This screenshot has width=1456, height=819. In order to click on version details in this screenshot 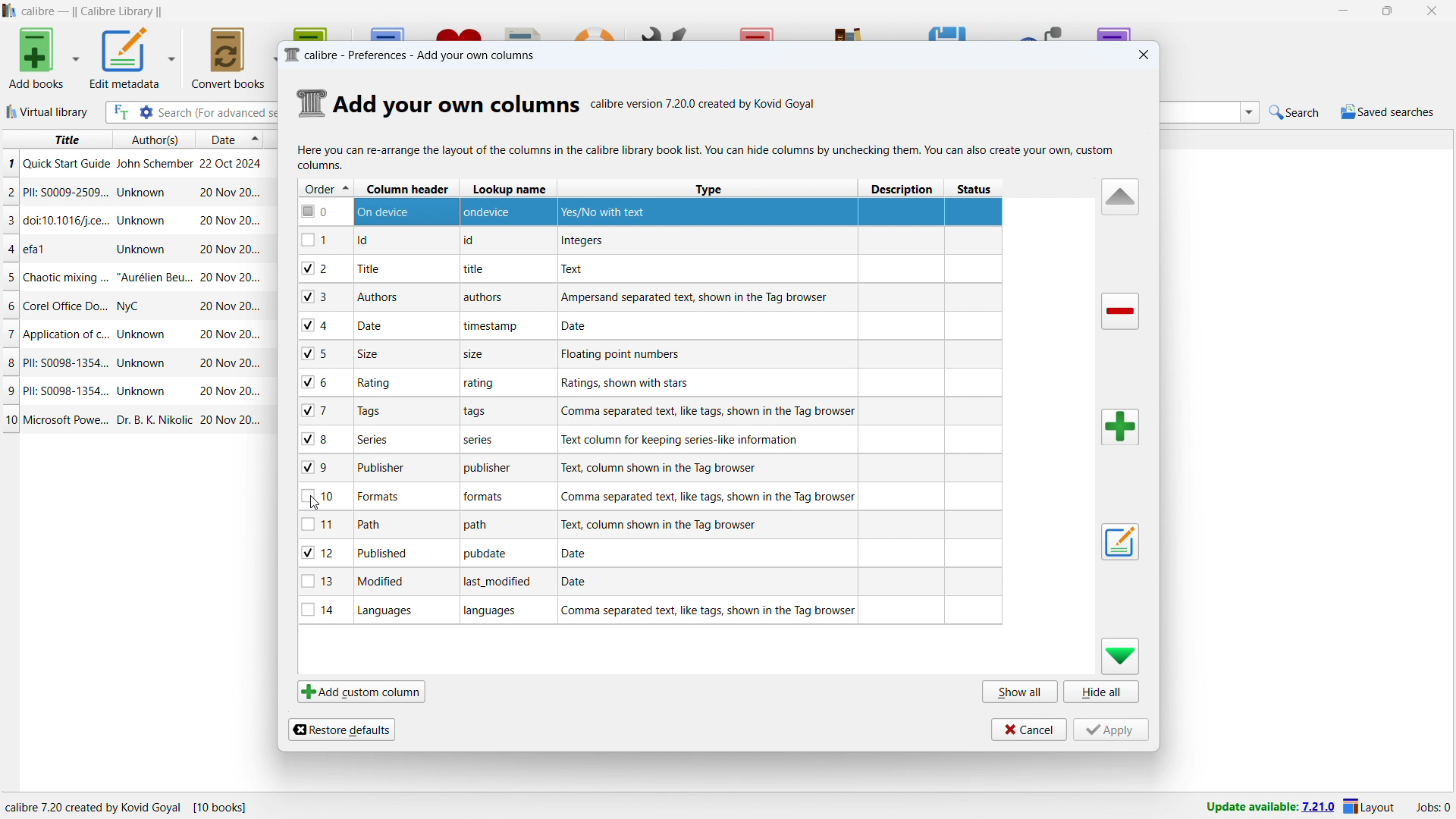, I will do `click(706, 106)`.